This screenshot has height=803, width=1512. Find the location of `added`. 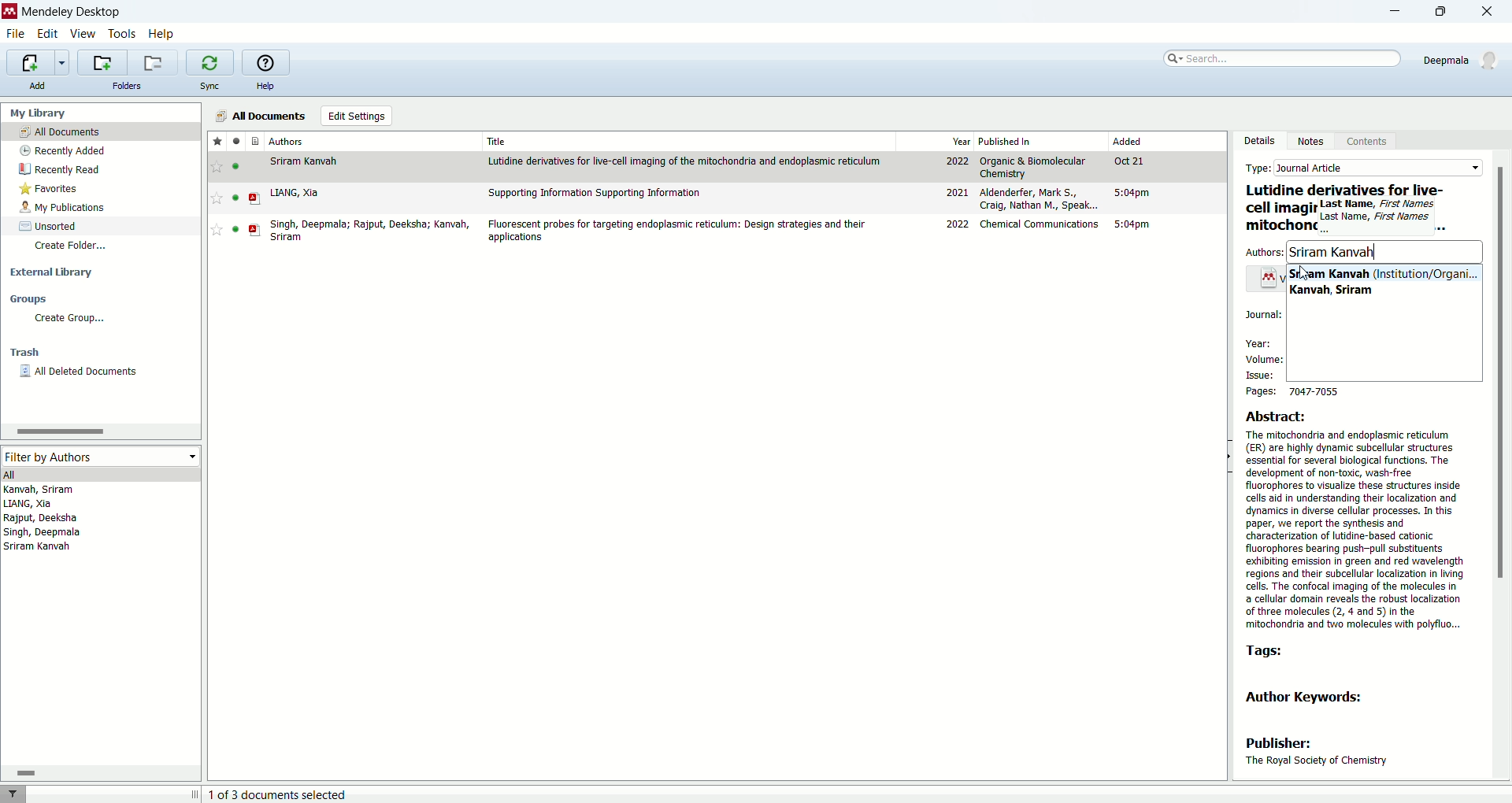

added is located at coordinates (1142, 142).